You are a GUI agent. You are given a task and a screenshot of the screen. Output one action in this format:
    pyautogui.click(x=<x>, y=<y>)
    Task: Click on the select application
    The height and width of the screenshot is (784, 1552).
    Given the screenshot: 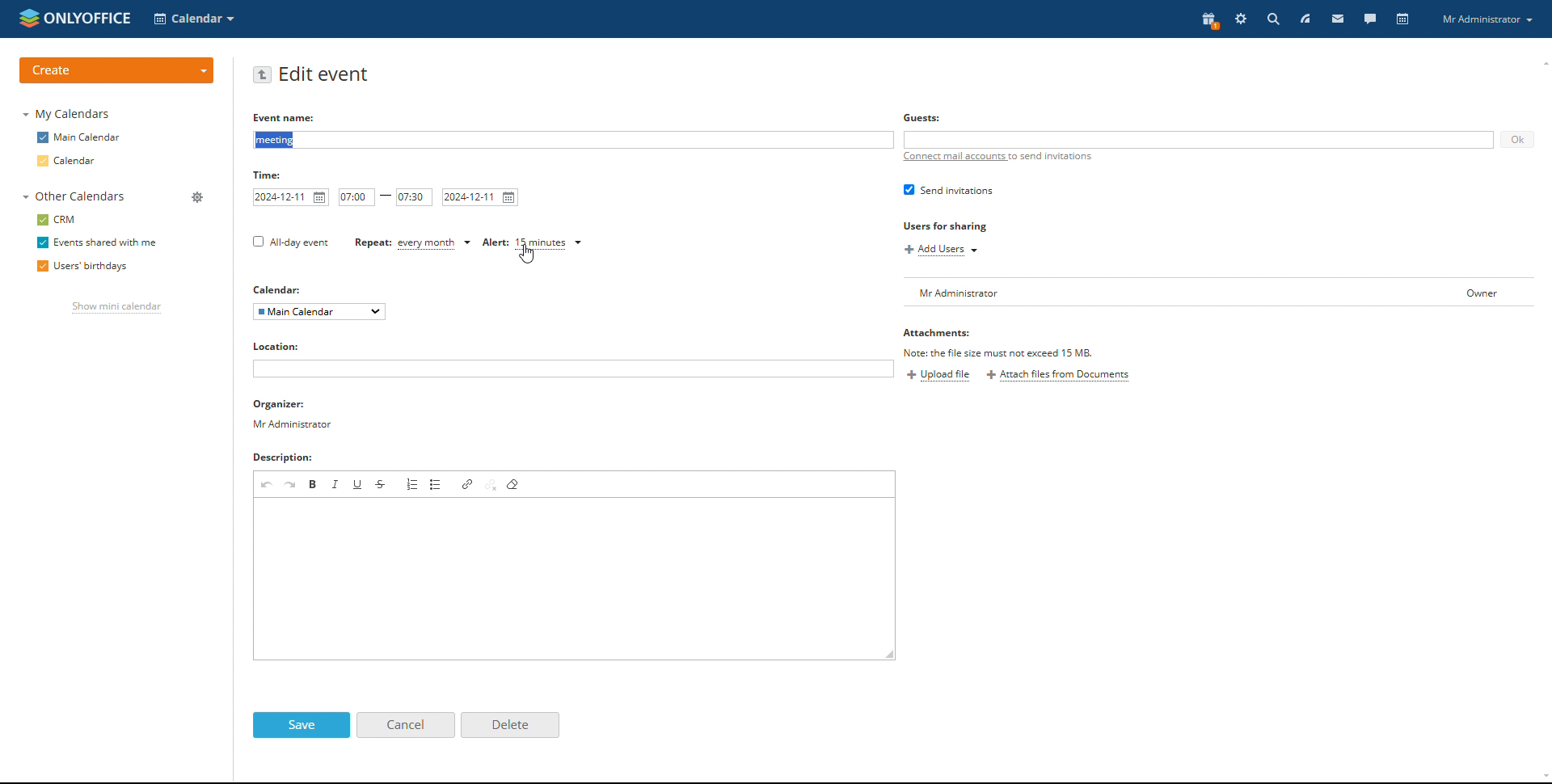 What is the action you would take?
    pyautogui.click(x=195, y=19)
    